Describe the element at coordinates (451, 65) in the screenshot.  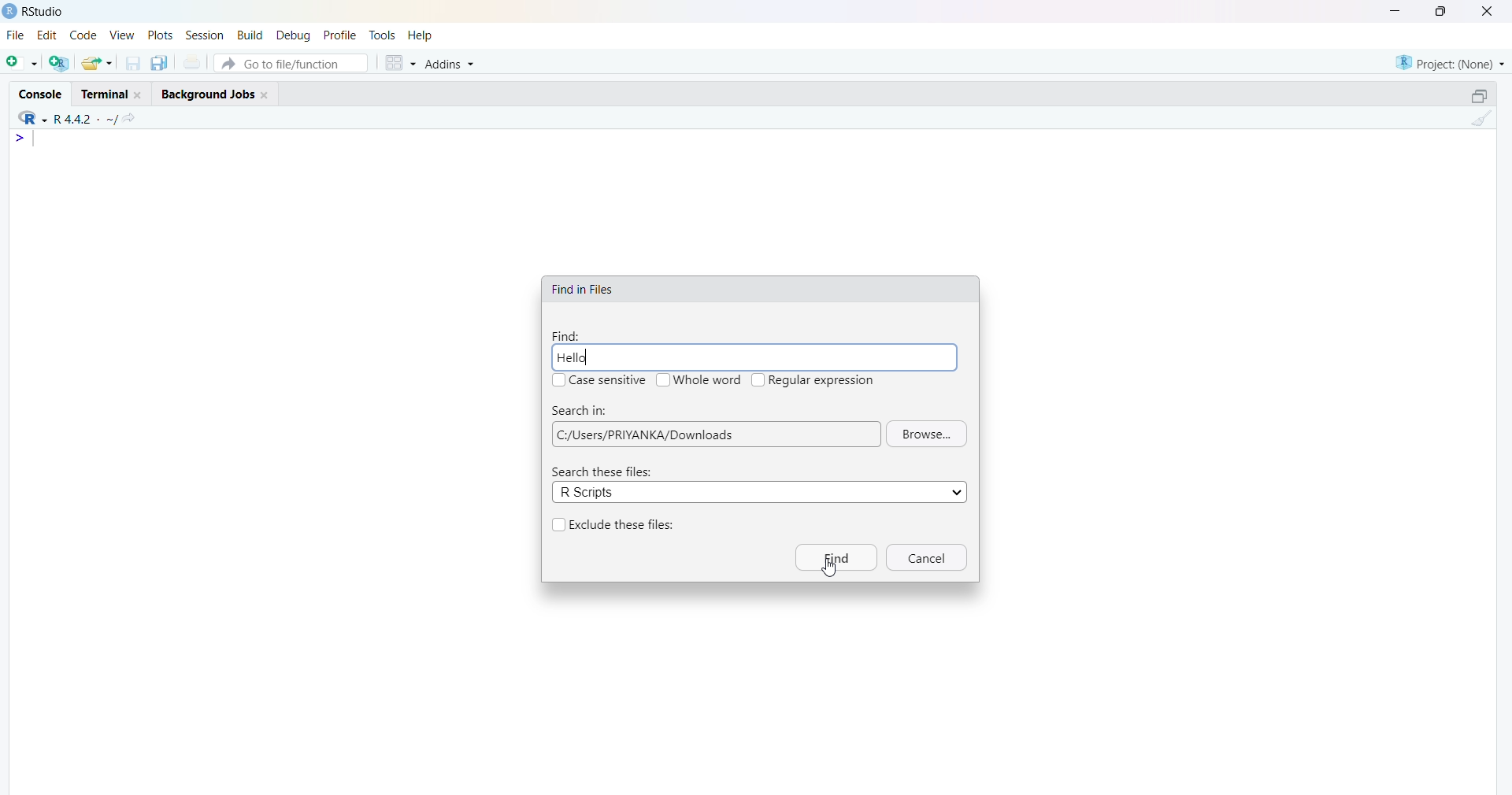
I see `addins` at that location.